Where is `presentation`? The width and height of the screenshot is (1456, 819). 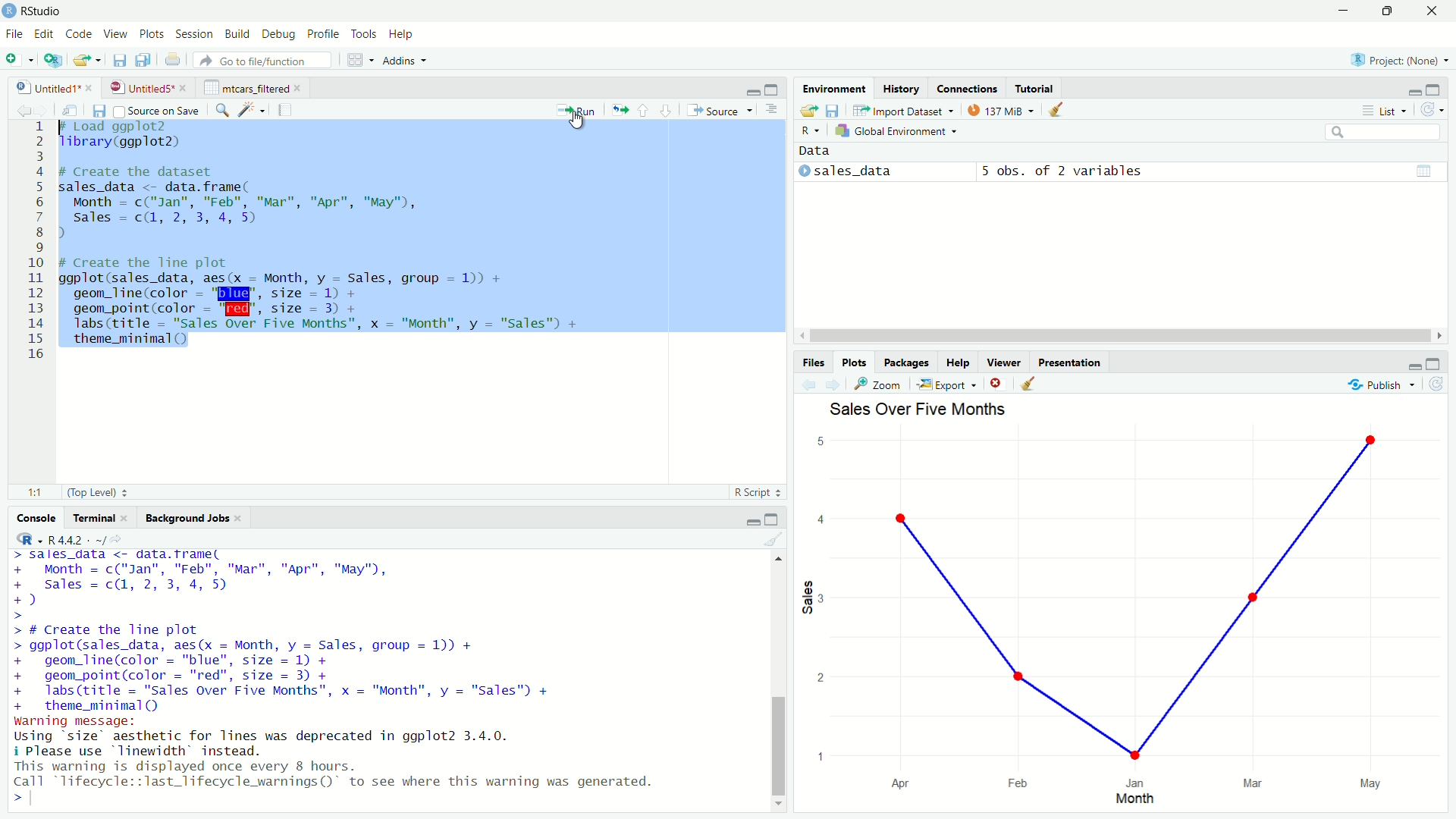
presentation is located at coordinates (1072, 364).